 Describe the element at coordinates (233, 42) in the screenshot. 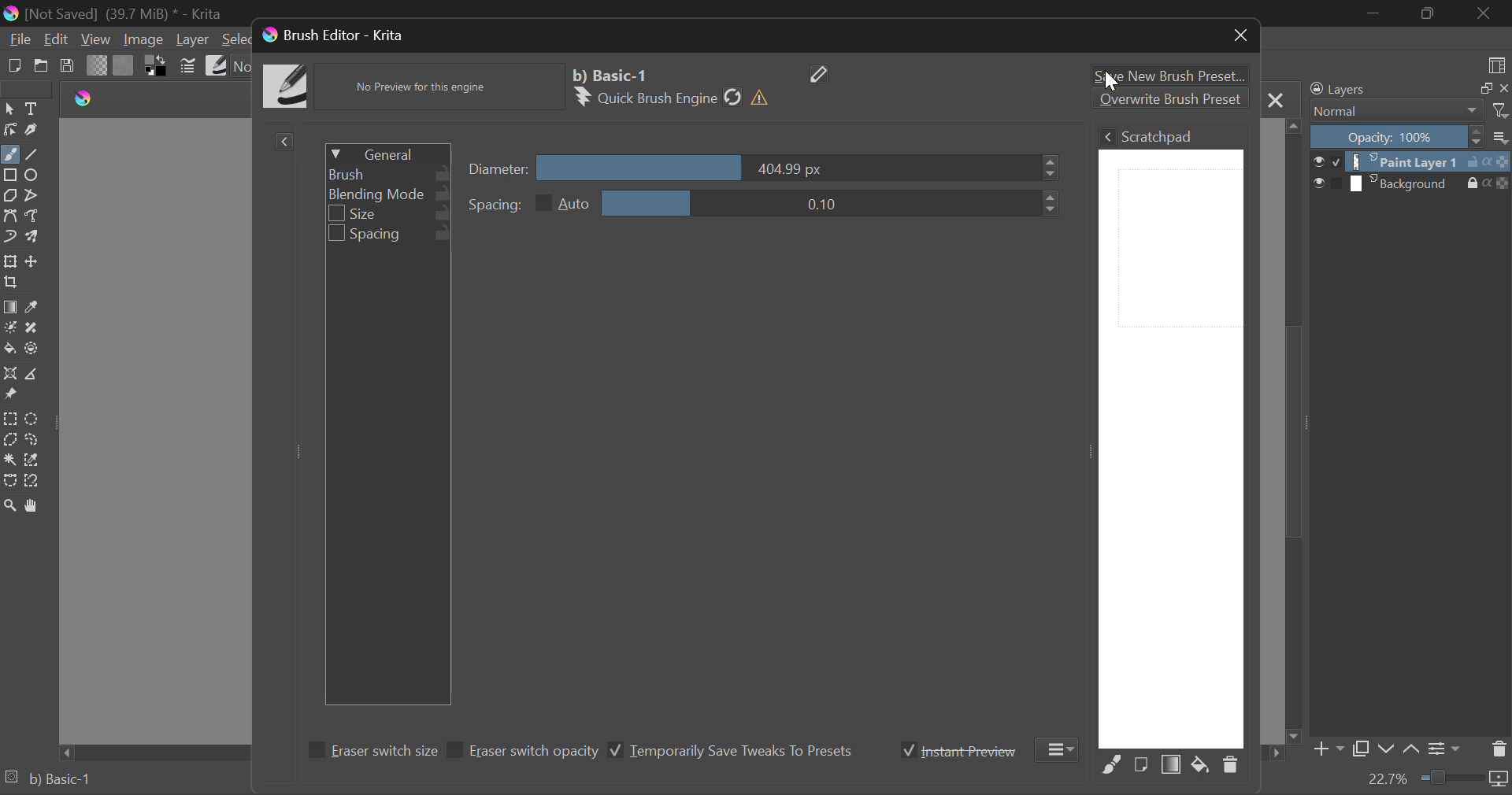

I see `Select` at that location.